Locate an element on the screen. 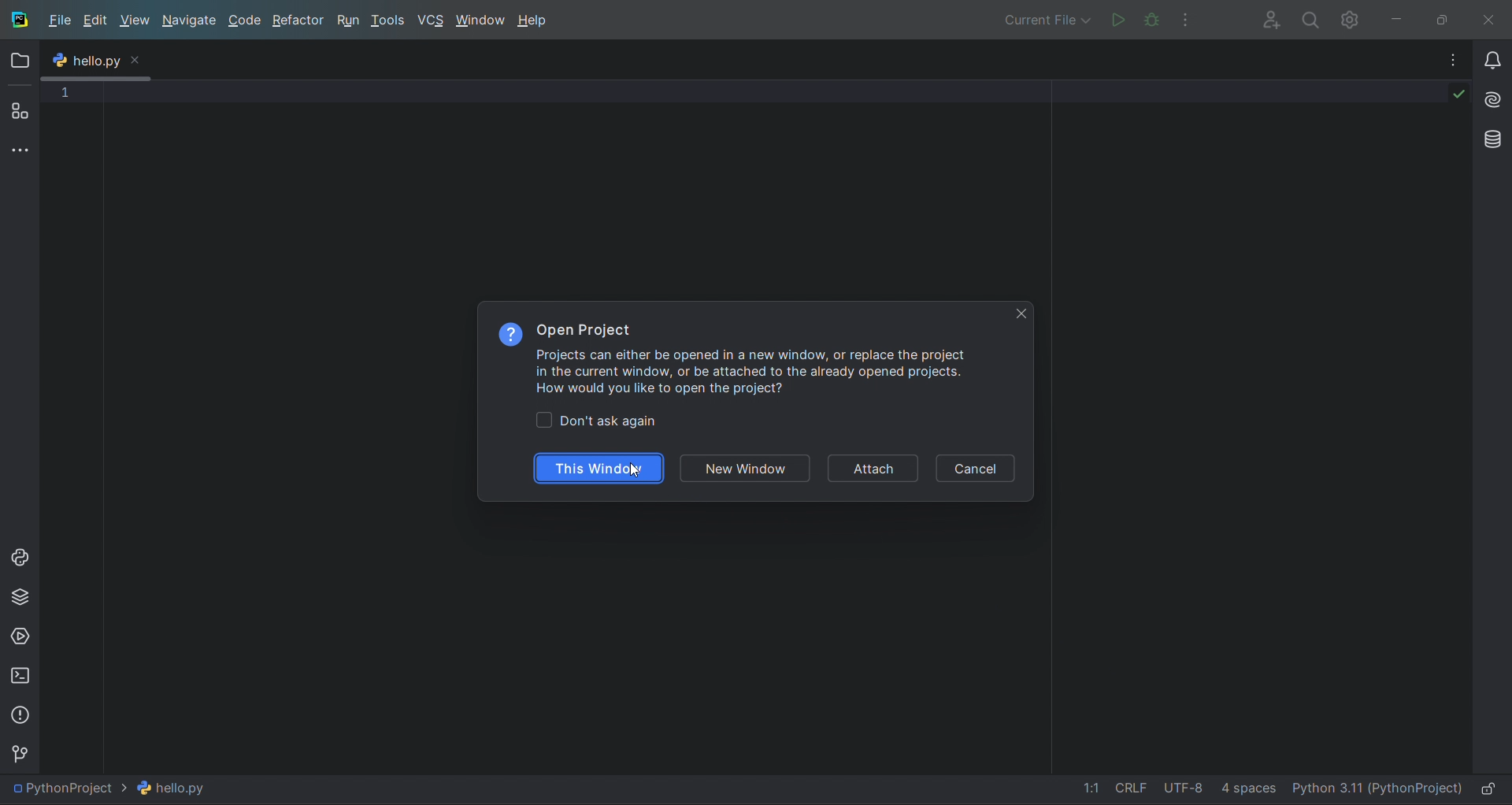 The height and width of the screenshot is (805, 1512). run is located at coordinates (349, 21).